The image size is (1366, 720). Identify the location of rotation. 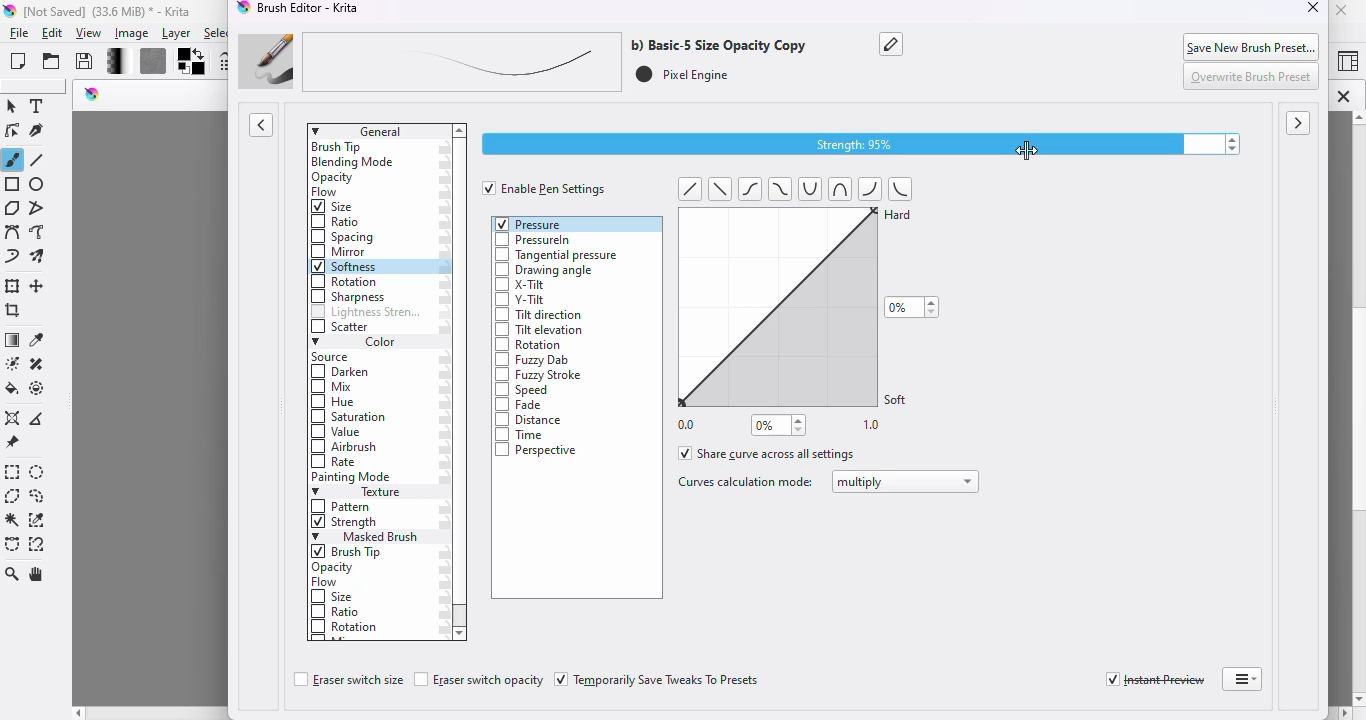
(343, 282).